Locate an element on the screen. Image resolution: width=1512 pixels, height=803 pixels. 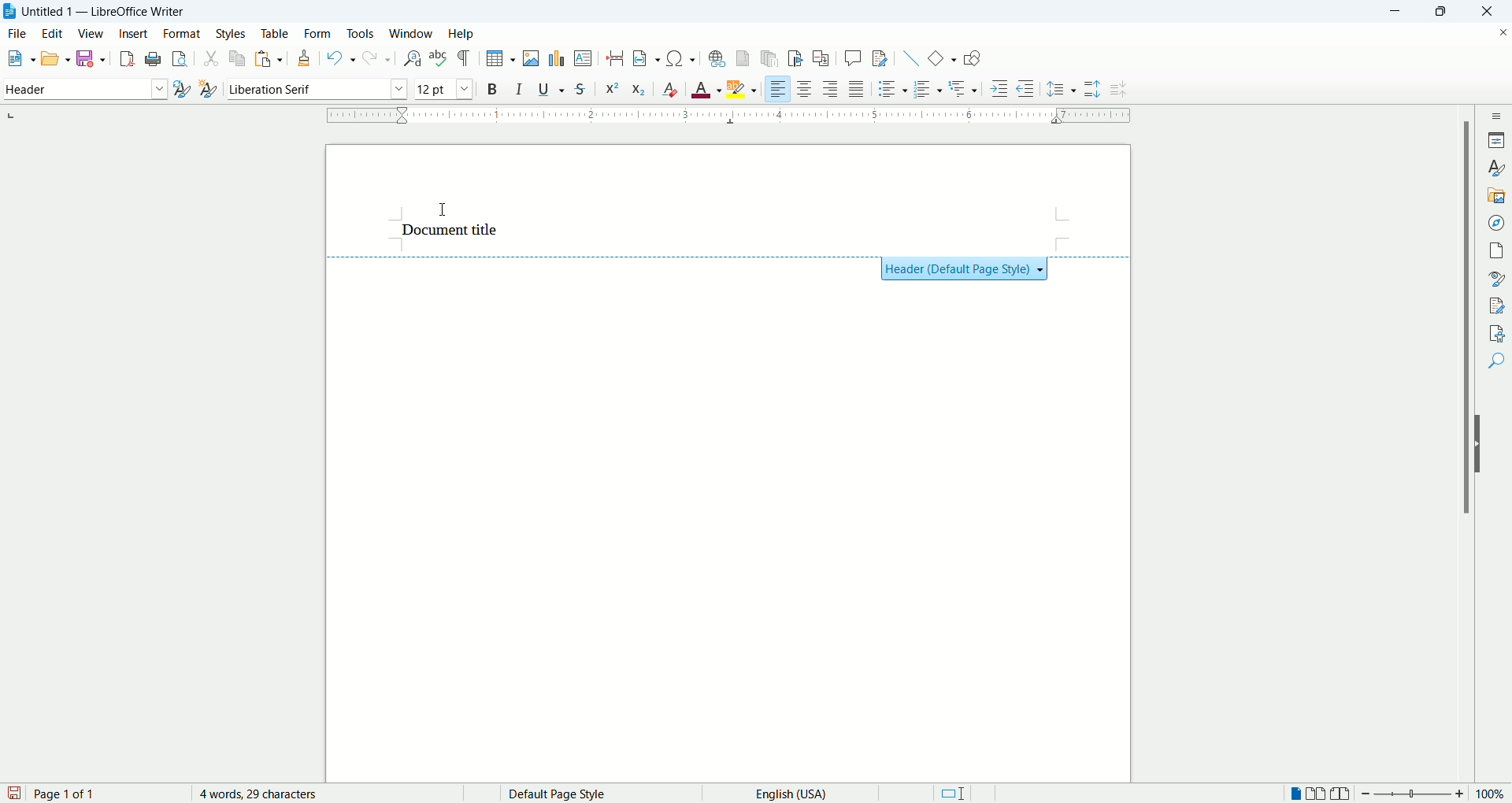
manage changes is located at coordinates (1496, 305).